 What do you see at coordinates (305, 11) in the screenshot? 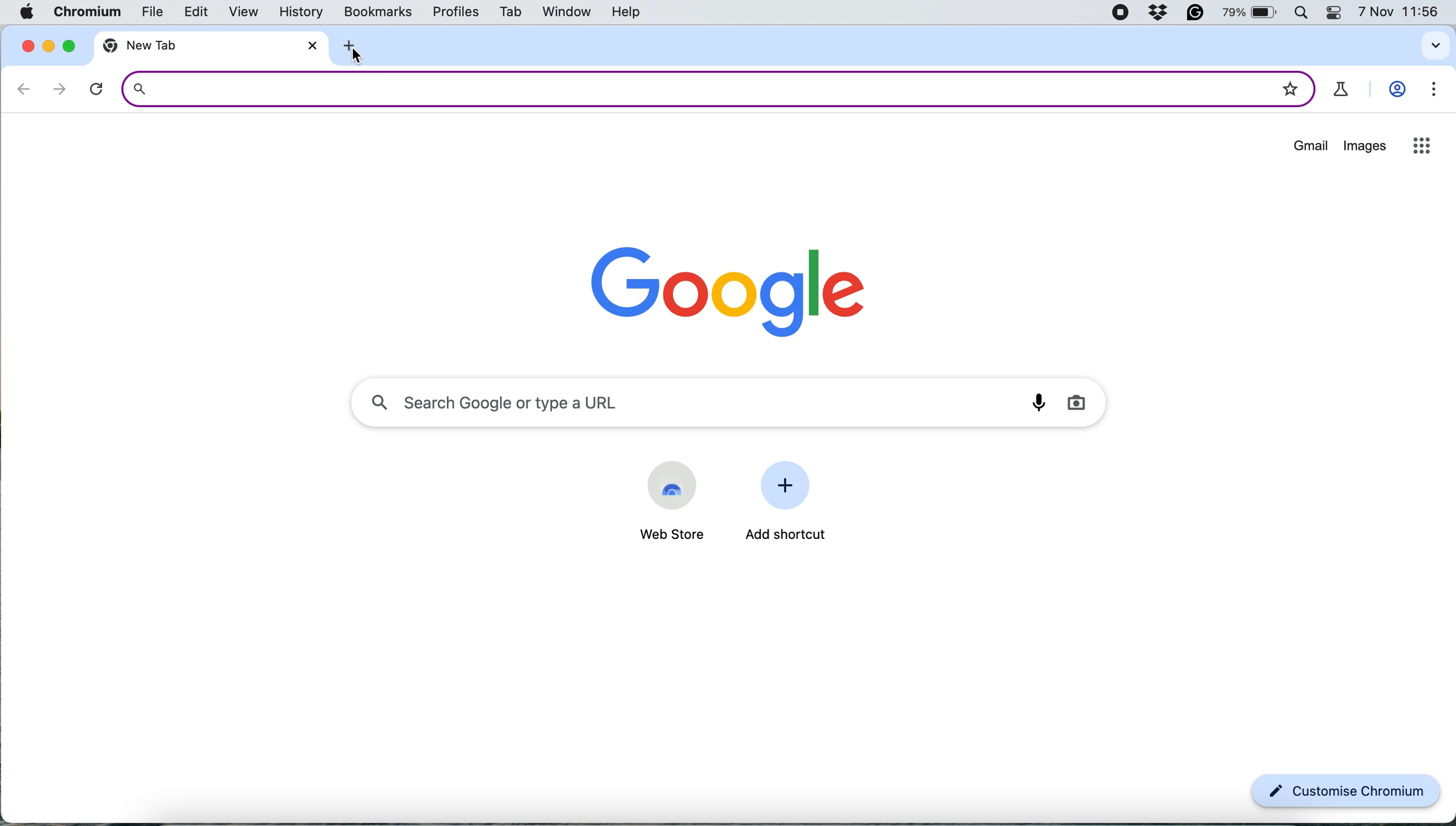
I see `history` at bounding box center [305, 11].